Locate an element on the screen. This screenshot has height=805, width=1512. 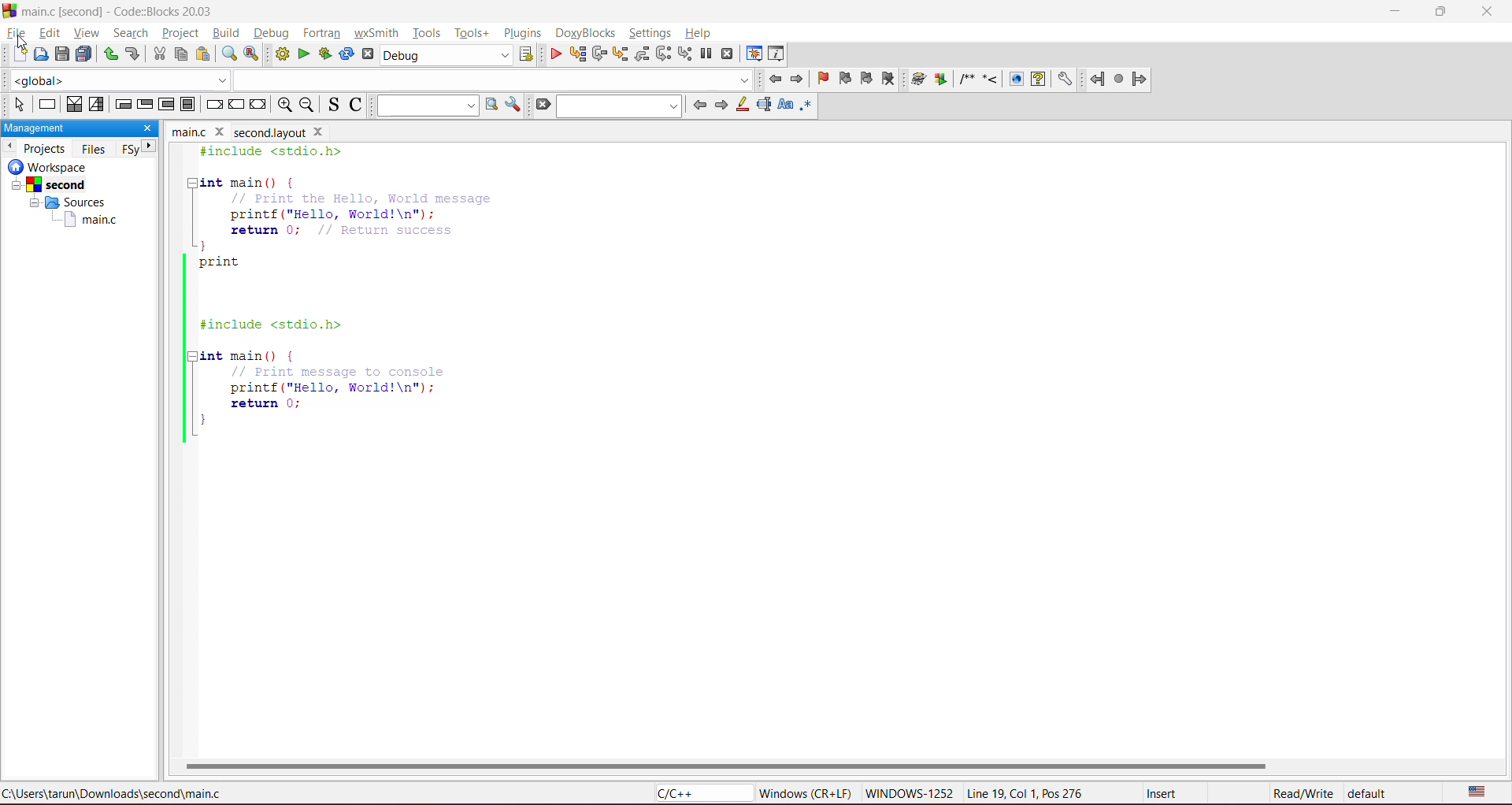
fortran reference is located at coordinates (1123, 80).